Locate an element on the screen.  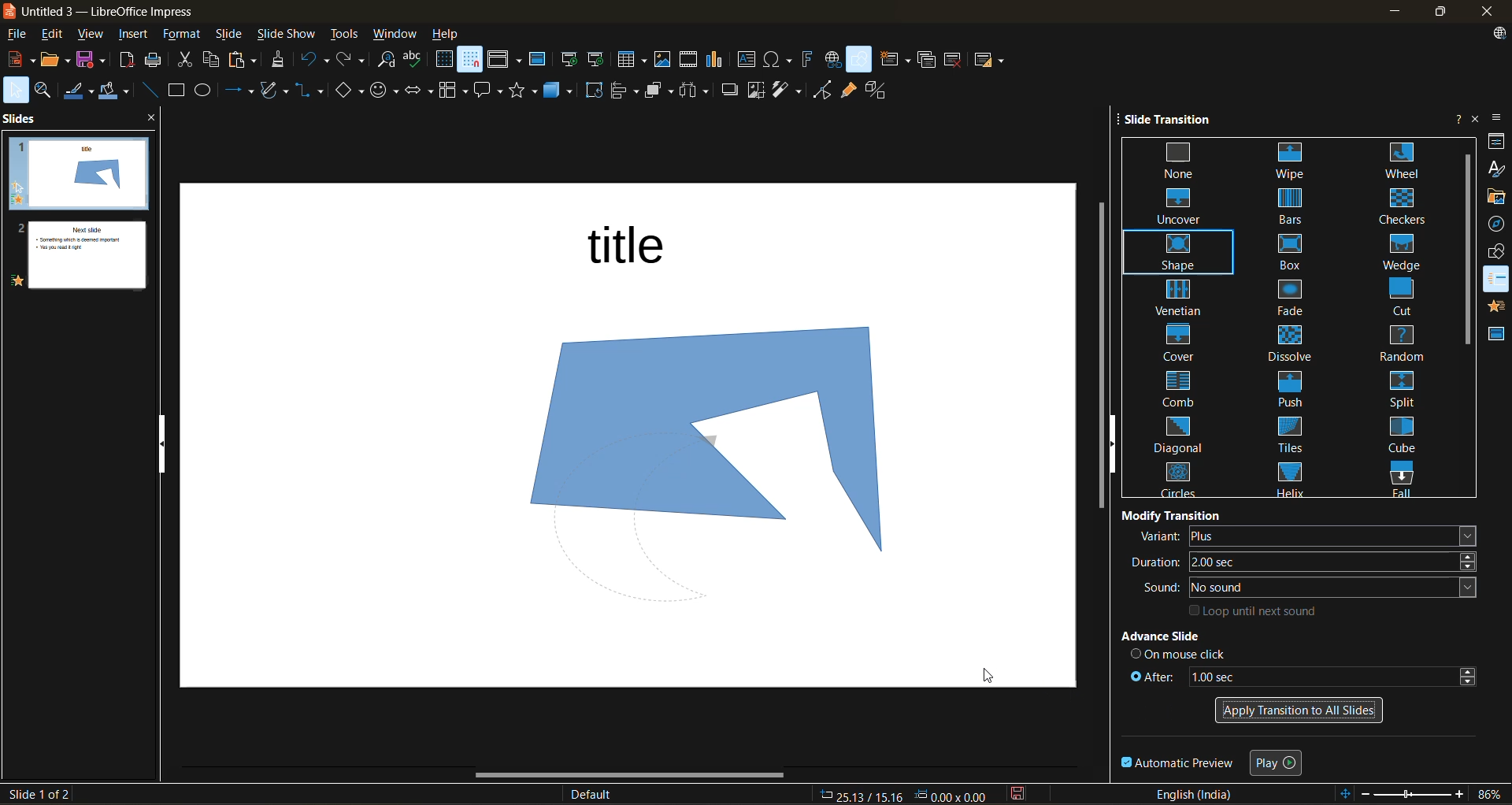
animation is located at coordinates (1498, 280).